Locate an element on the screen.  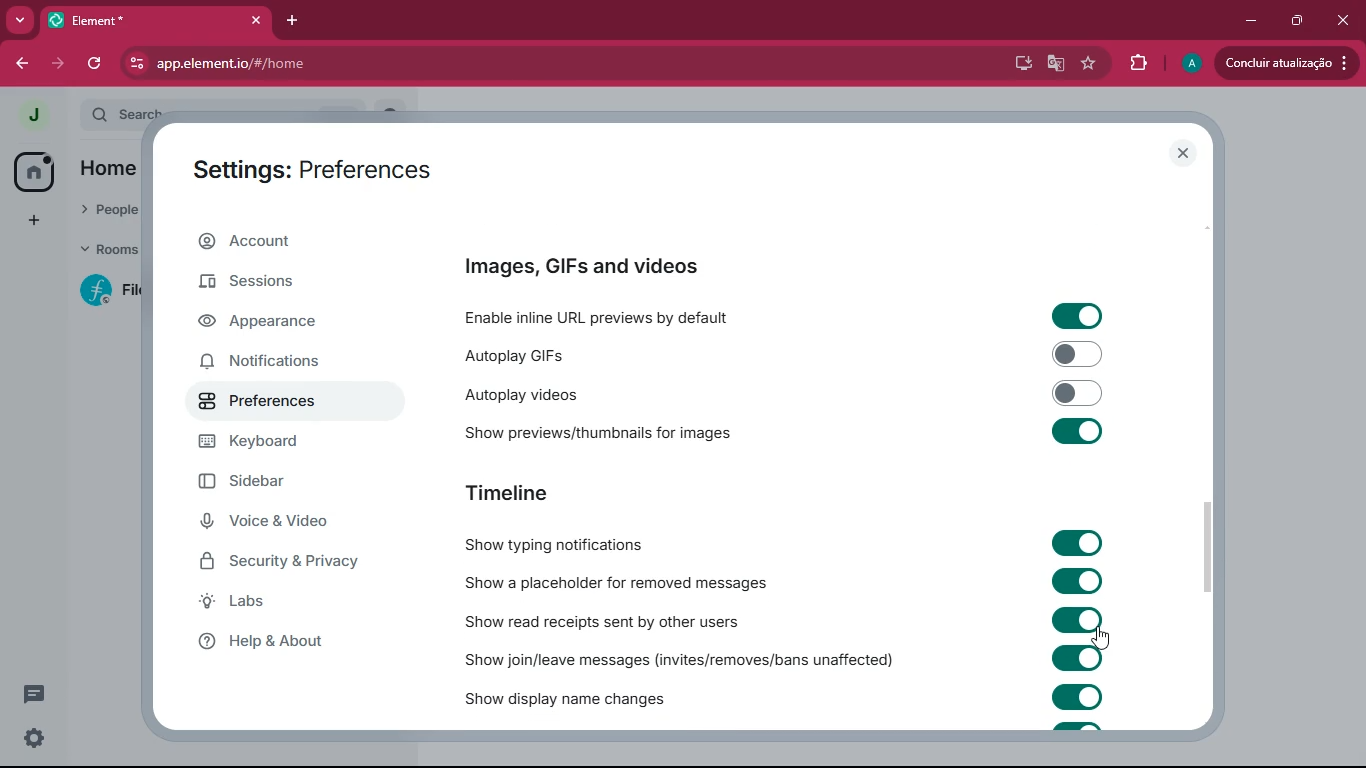
more is located at coordinates (20, 22).